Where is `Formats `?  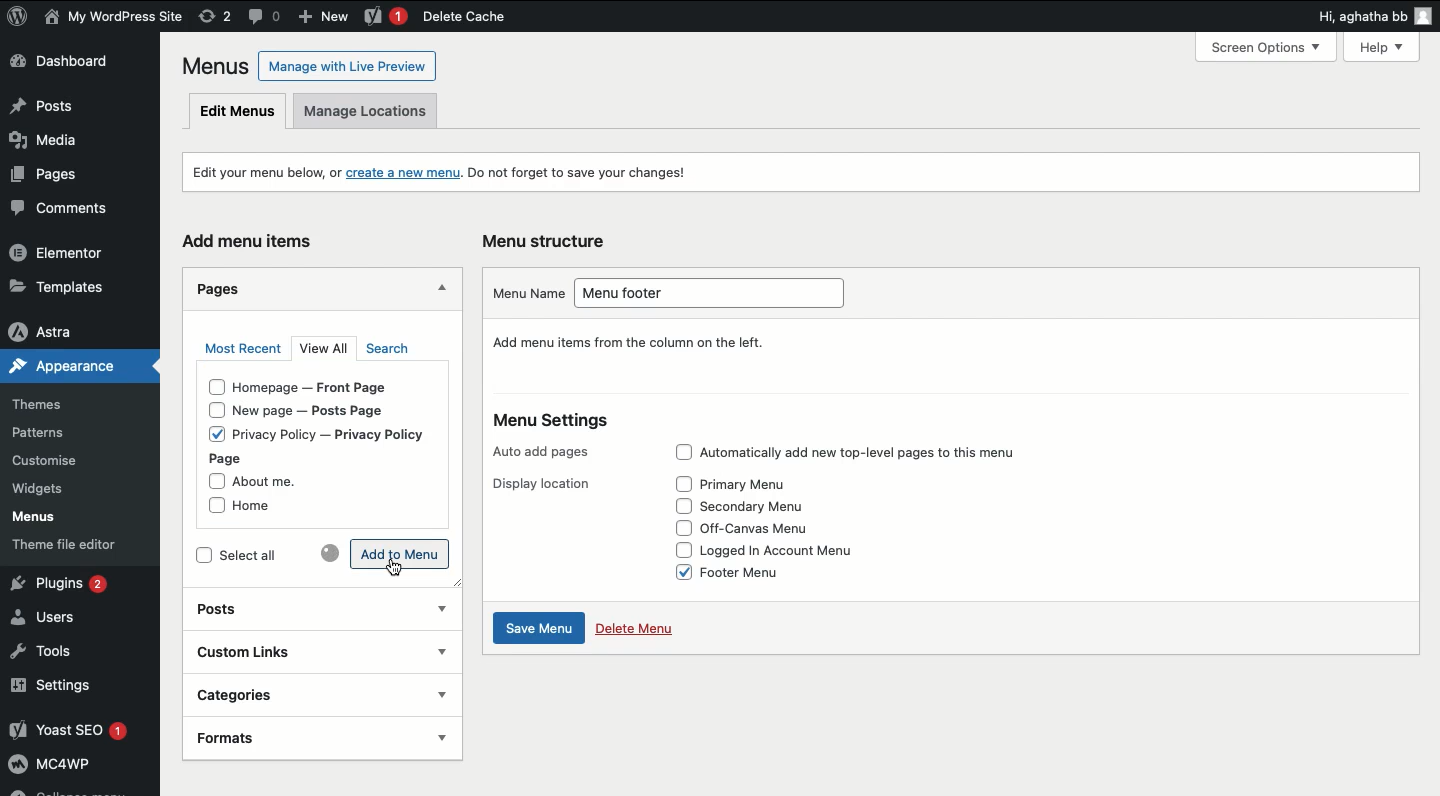
Formats  is located at coordinates (298, 737).